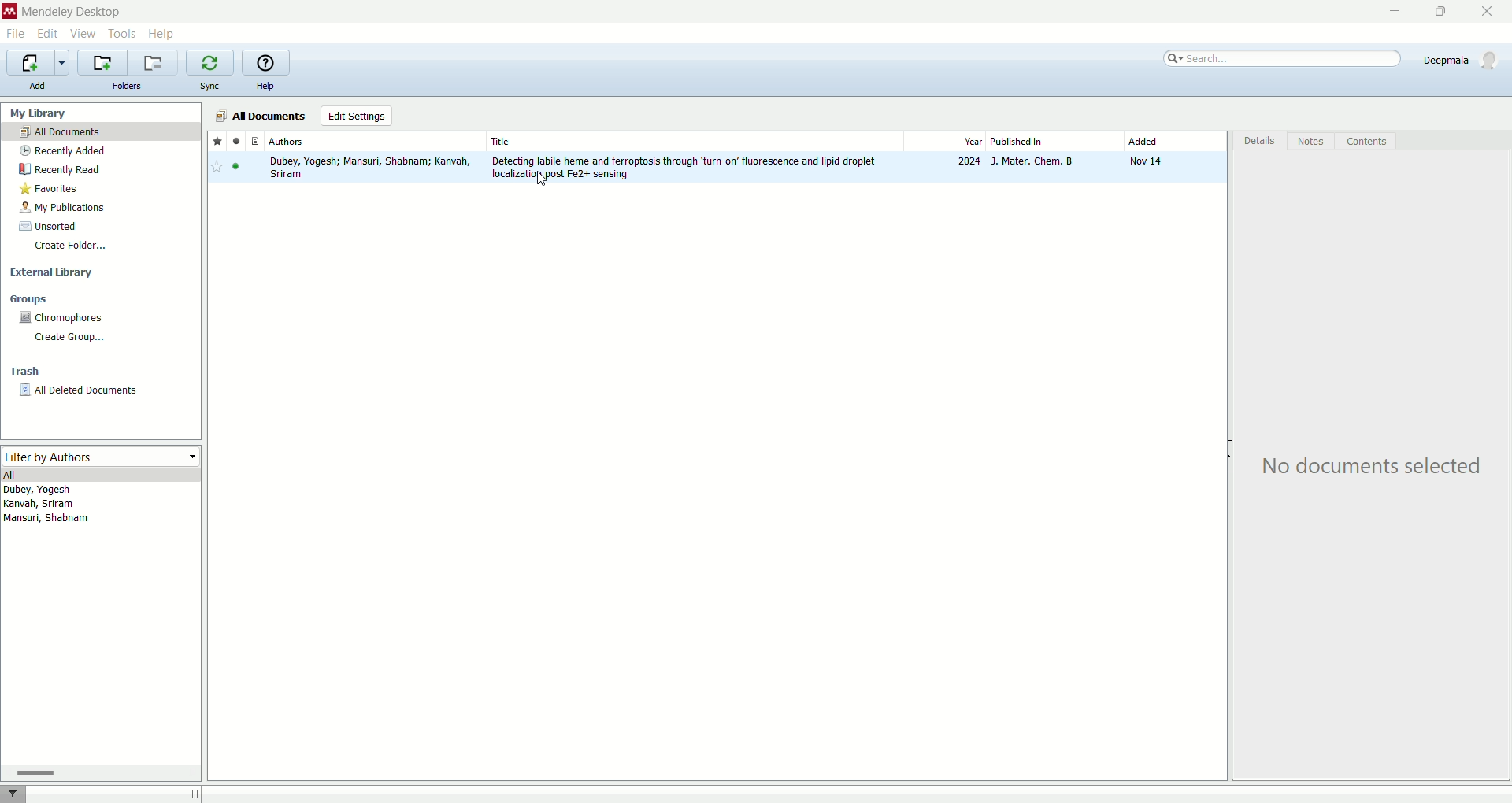  What do you see at coordinates (267, 87) in the screenshot?
I see `help` at bounding box center [267, 87].